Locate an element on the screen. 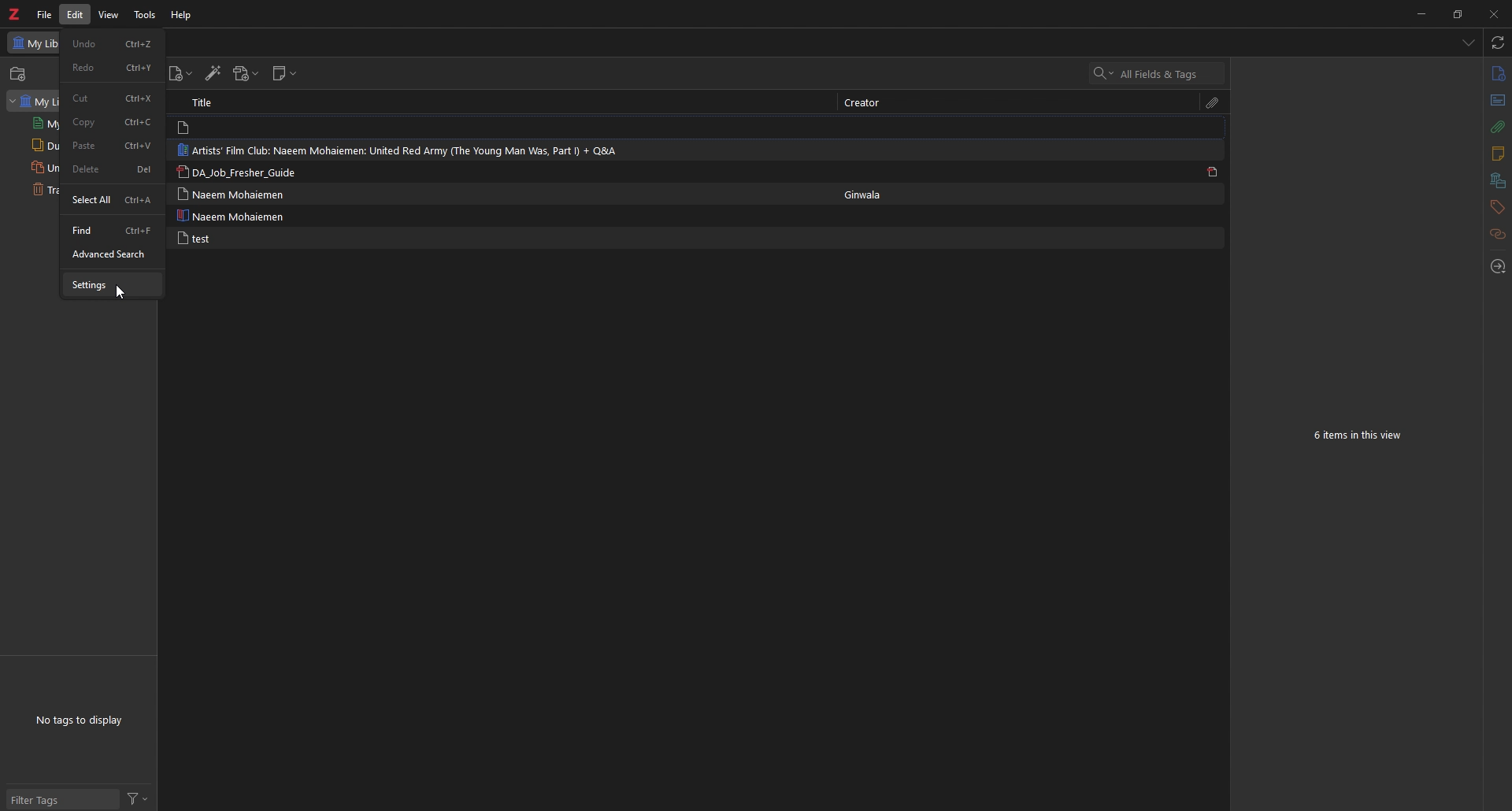 This screenshot has height=811, width=1512. add items is located at coordinates (20, 74).